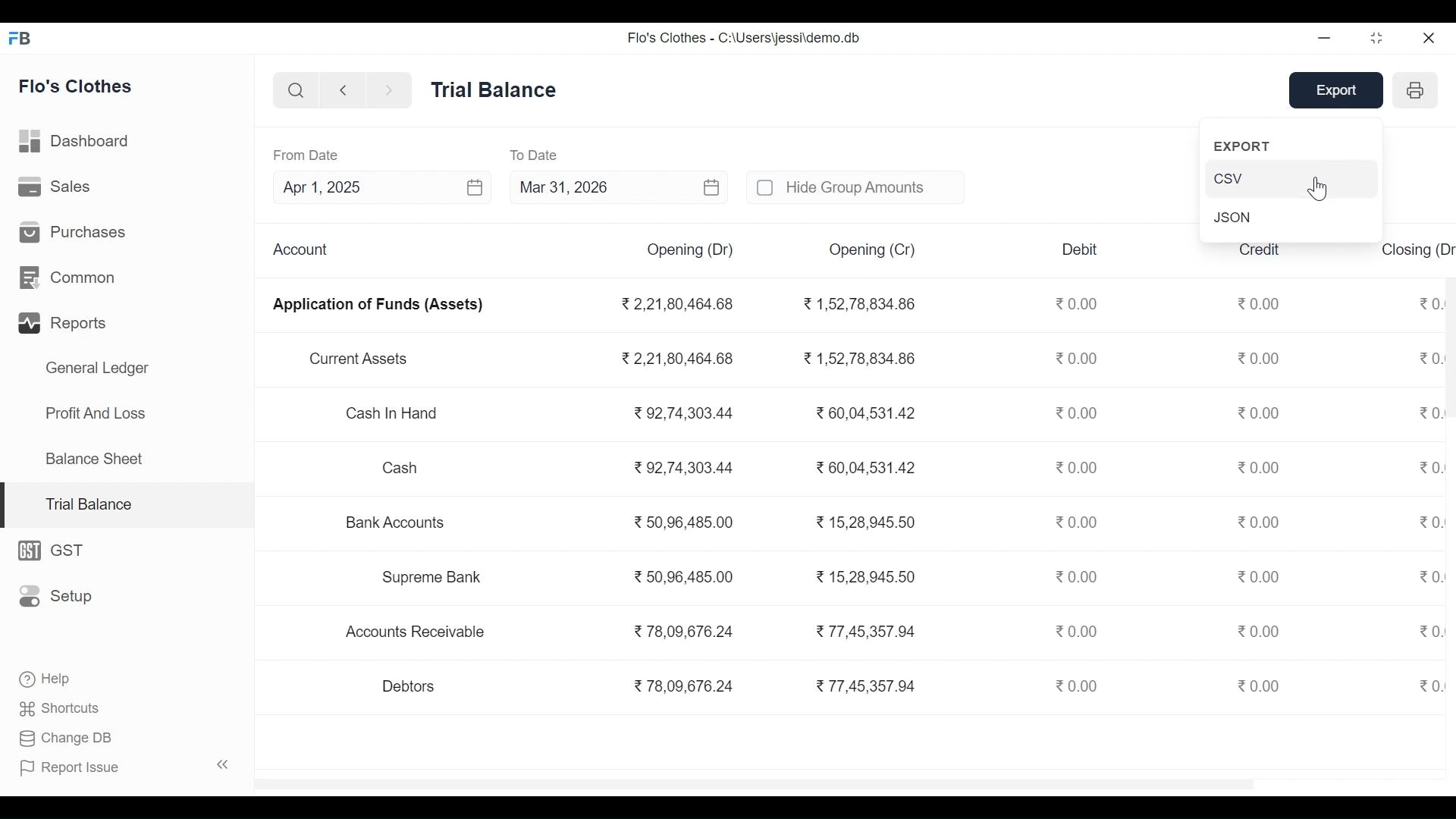  I want to click on Purchases, so click(74, 232).